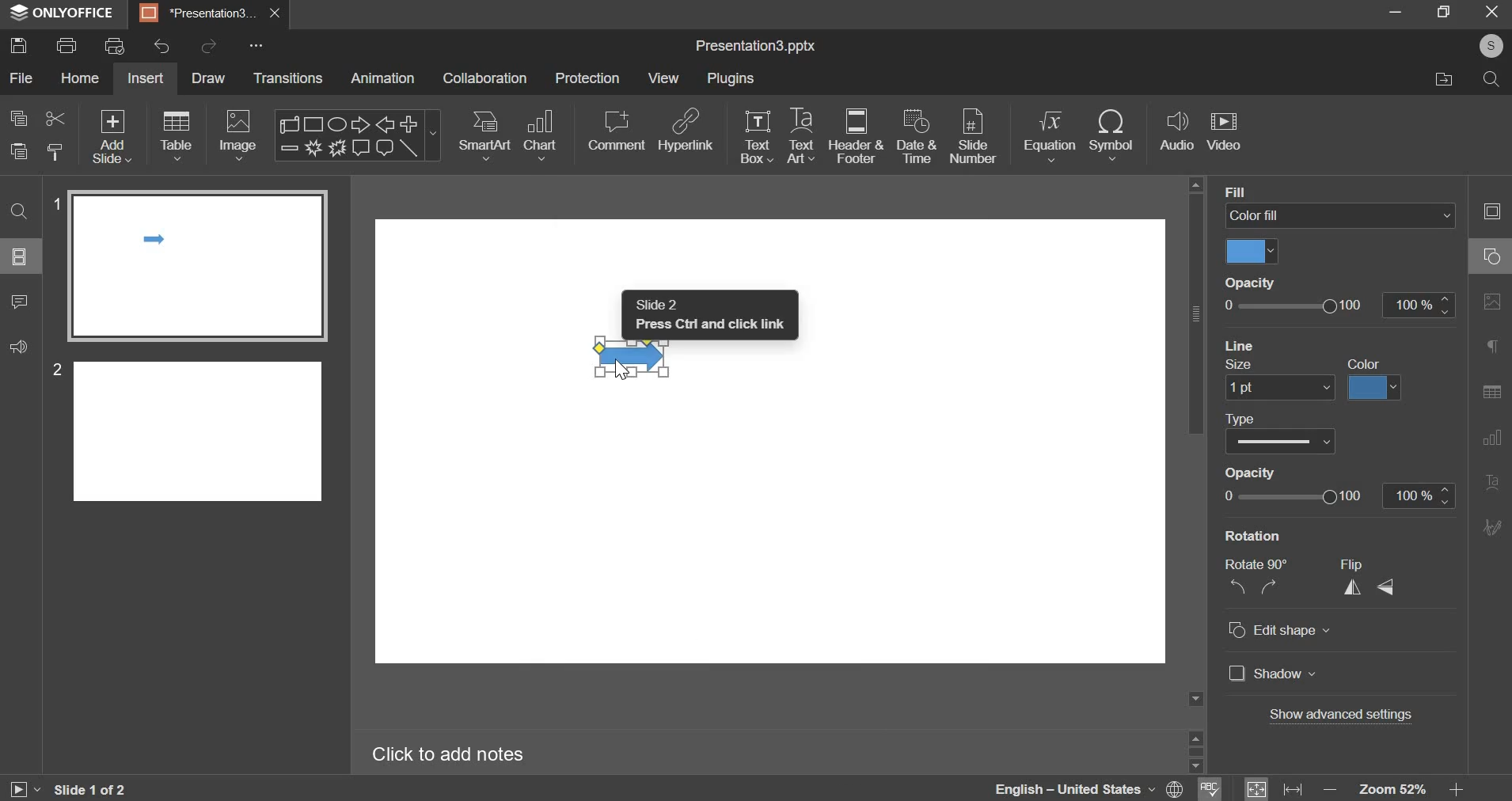  Describe the element at coordinates (196, 266) in the screenshot. I see `slide 1 preview` at that location.